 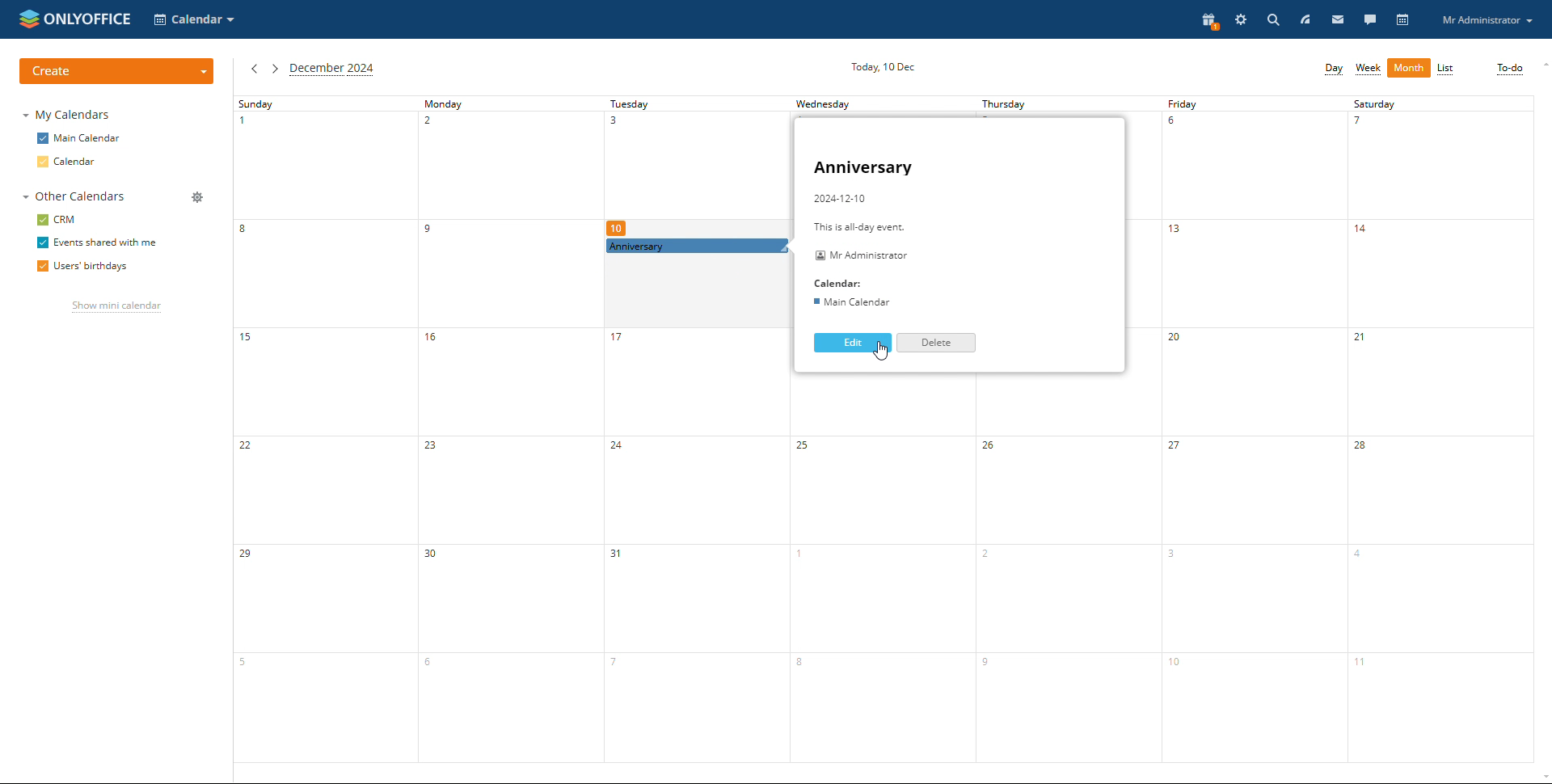 What do you see at coordinates (196, 197) in the screenshot?
I see `manage` at bounding box center [196, 197].